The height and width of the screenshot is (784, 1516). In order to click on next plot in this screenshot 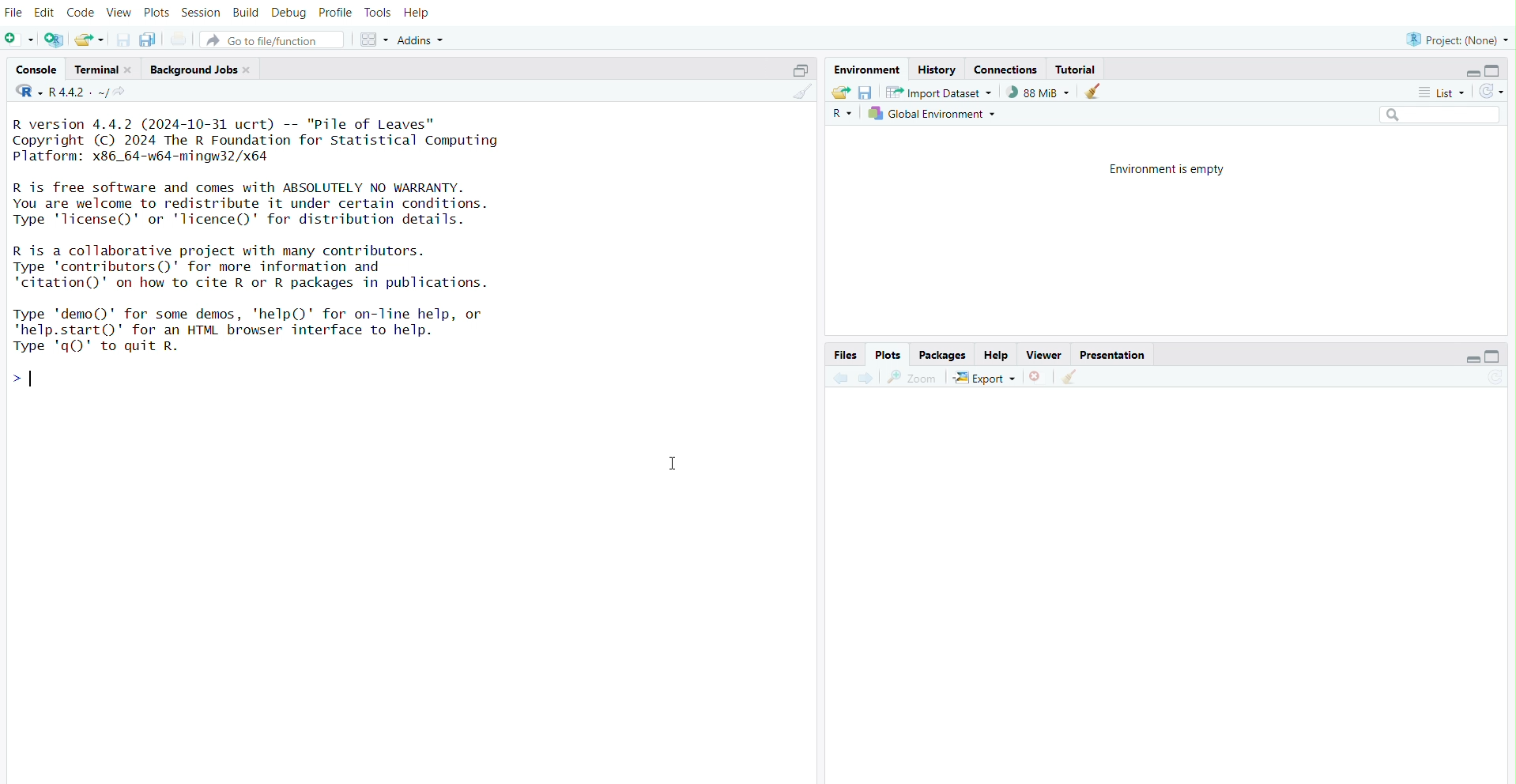, I will do `click(865, 379)`.